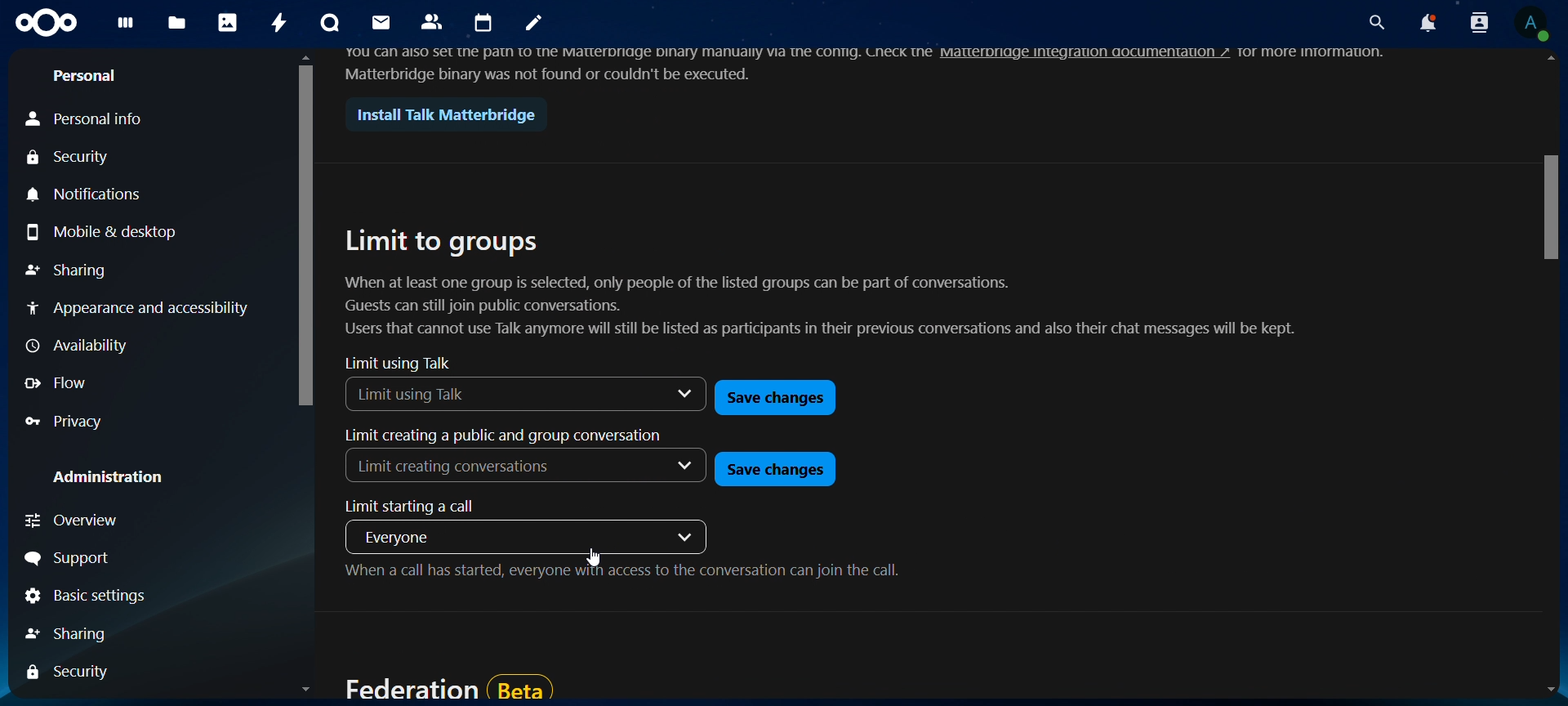 The width and height of the screenshot is (1568, 706). Describe the element at coordinates (128, 423) in the screenshot. I see `Privacy` at that location.